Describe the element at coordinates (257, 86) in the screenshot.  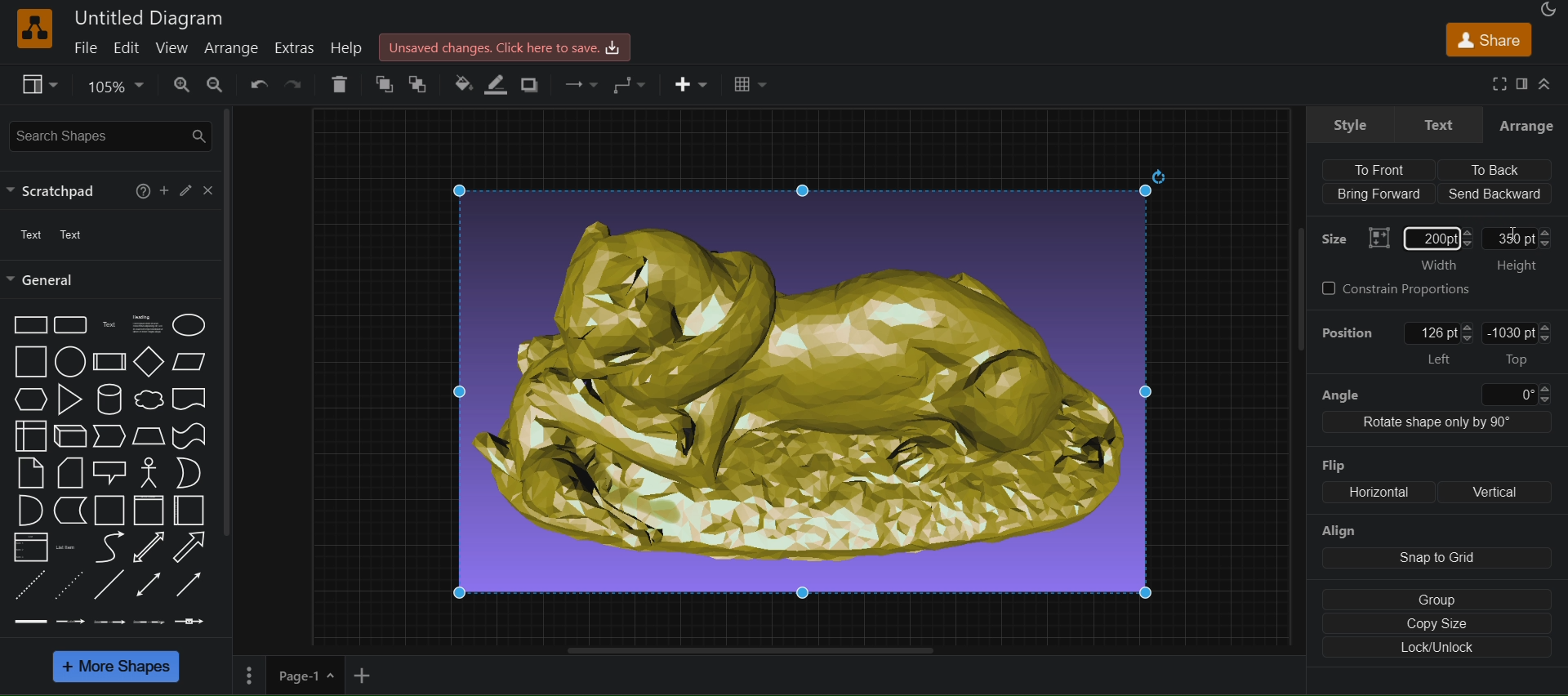
I see `undo` at that location.